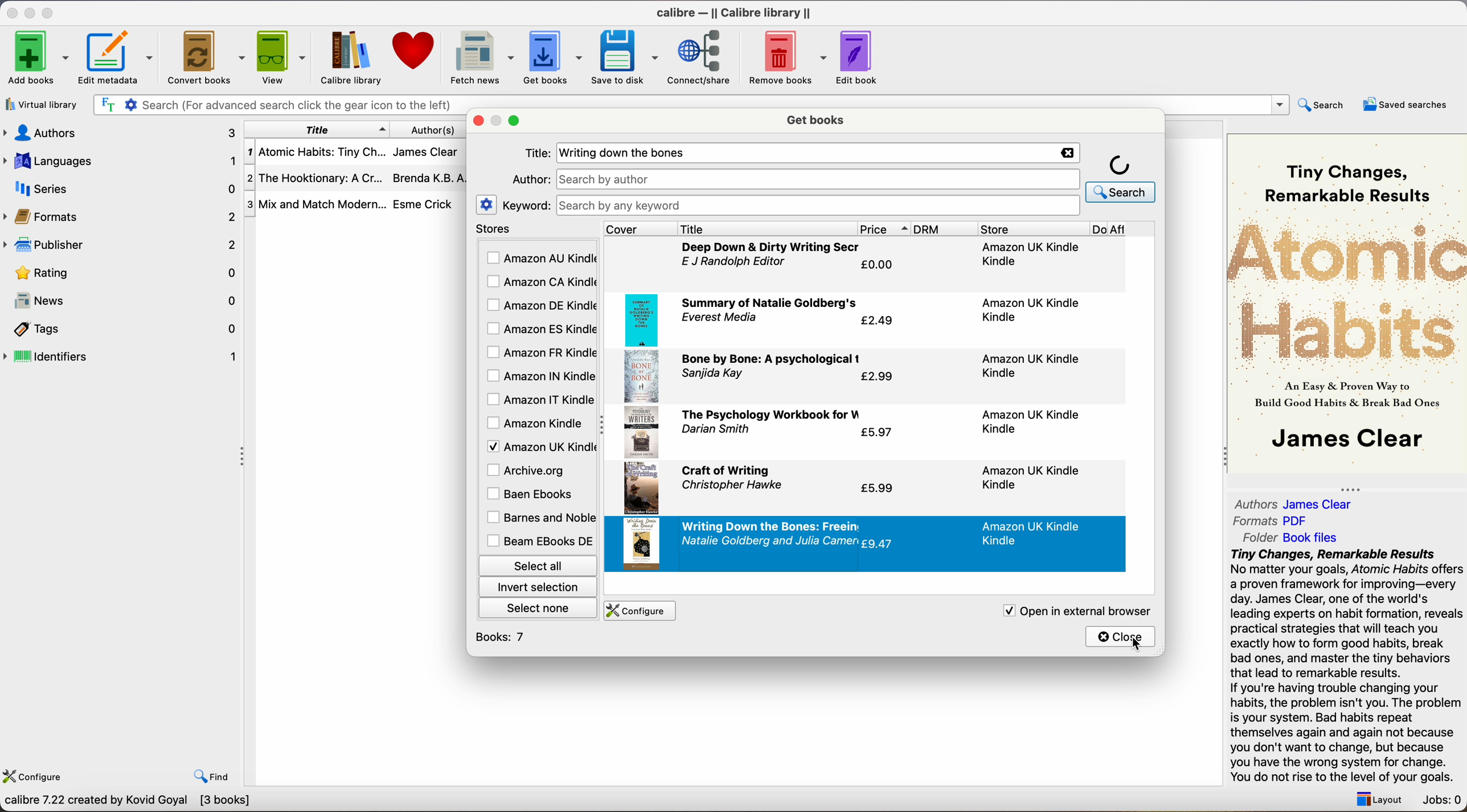  I want to click on amazon UK kindle, so click(1032, 254).